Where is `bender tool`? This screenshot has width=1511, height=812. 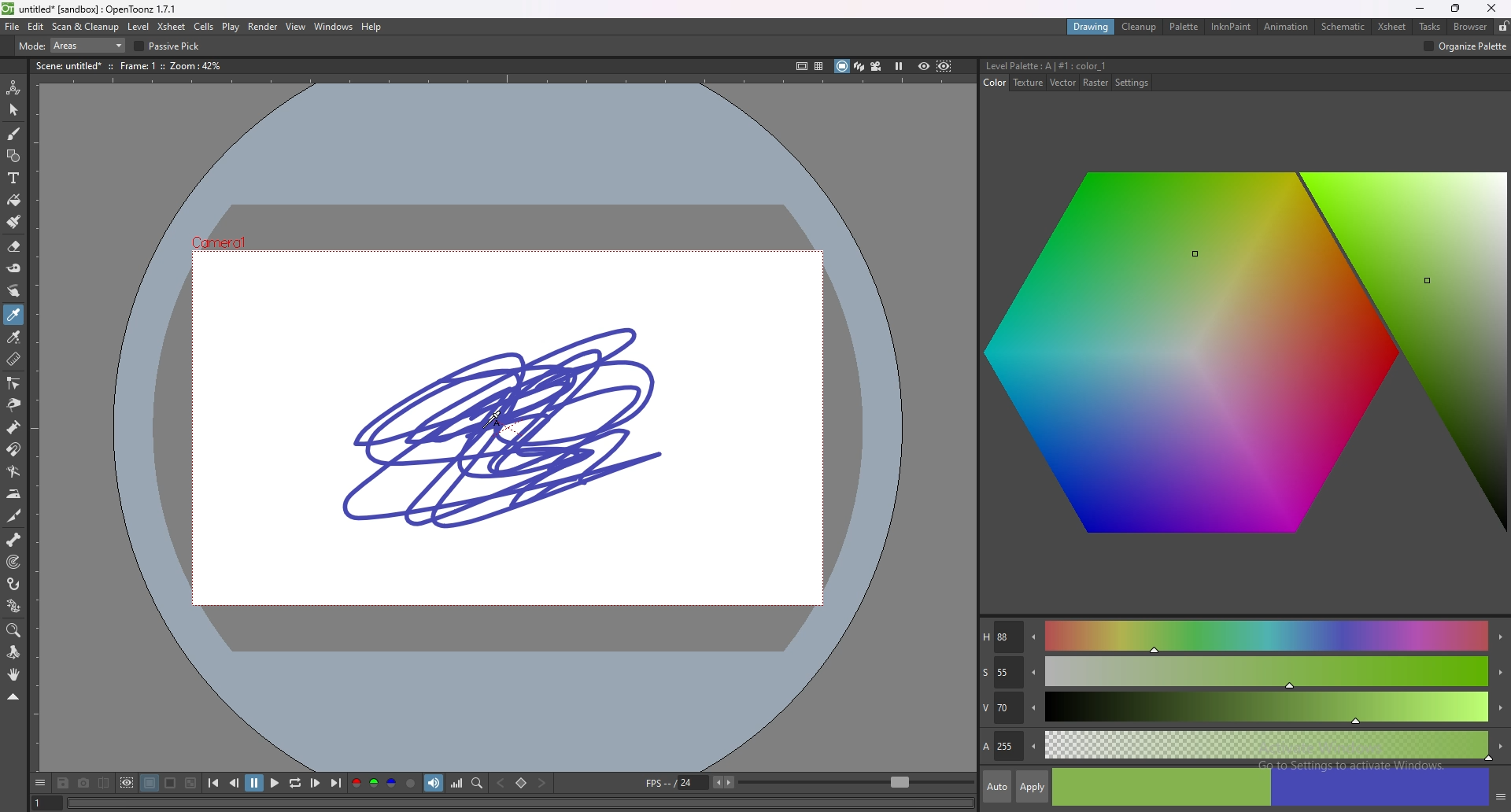 bender tool is located at coordinates (13, 471).